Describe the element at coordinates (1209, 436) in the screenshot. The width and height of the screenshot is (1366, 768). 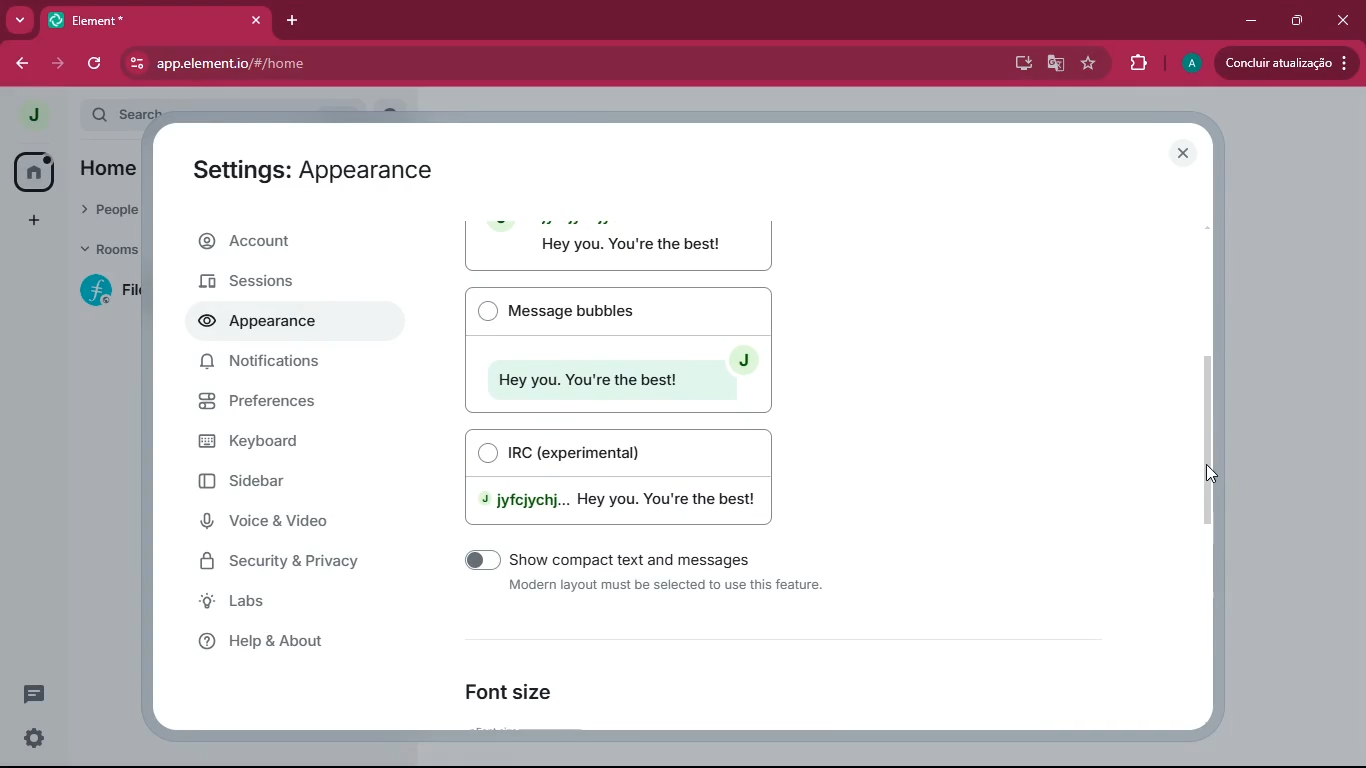
I see `scroll bar` at that location.